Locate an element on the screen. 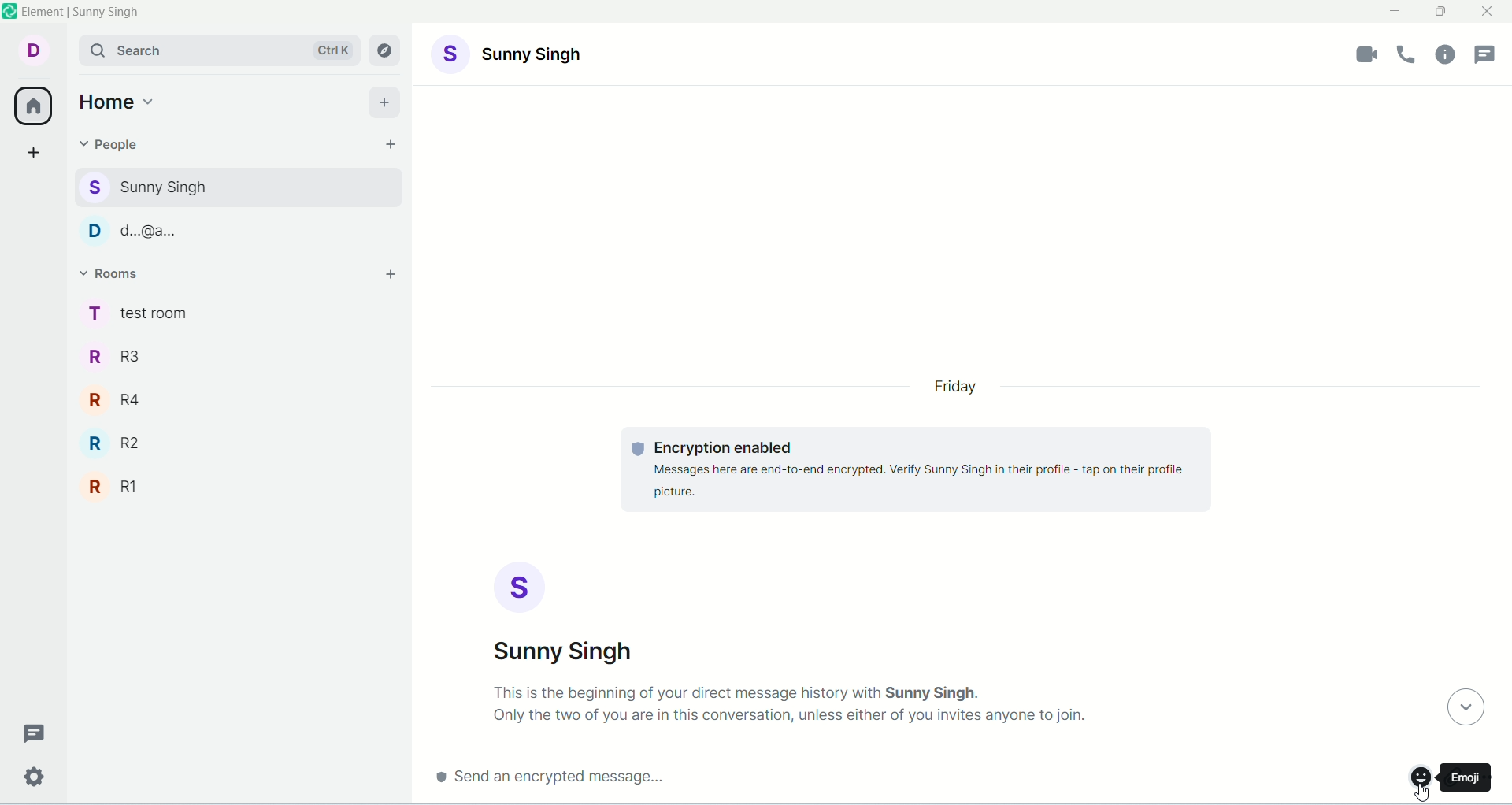 Image resolution: width=1512 pixels, height=805 pixels. logo is located at coordinates (10, 10).